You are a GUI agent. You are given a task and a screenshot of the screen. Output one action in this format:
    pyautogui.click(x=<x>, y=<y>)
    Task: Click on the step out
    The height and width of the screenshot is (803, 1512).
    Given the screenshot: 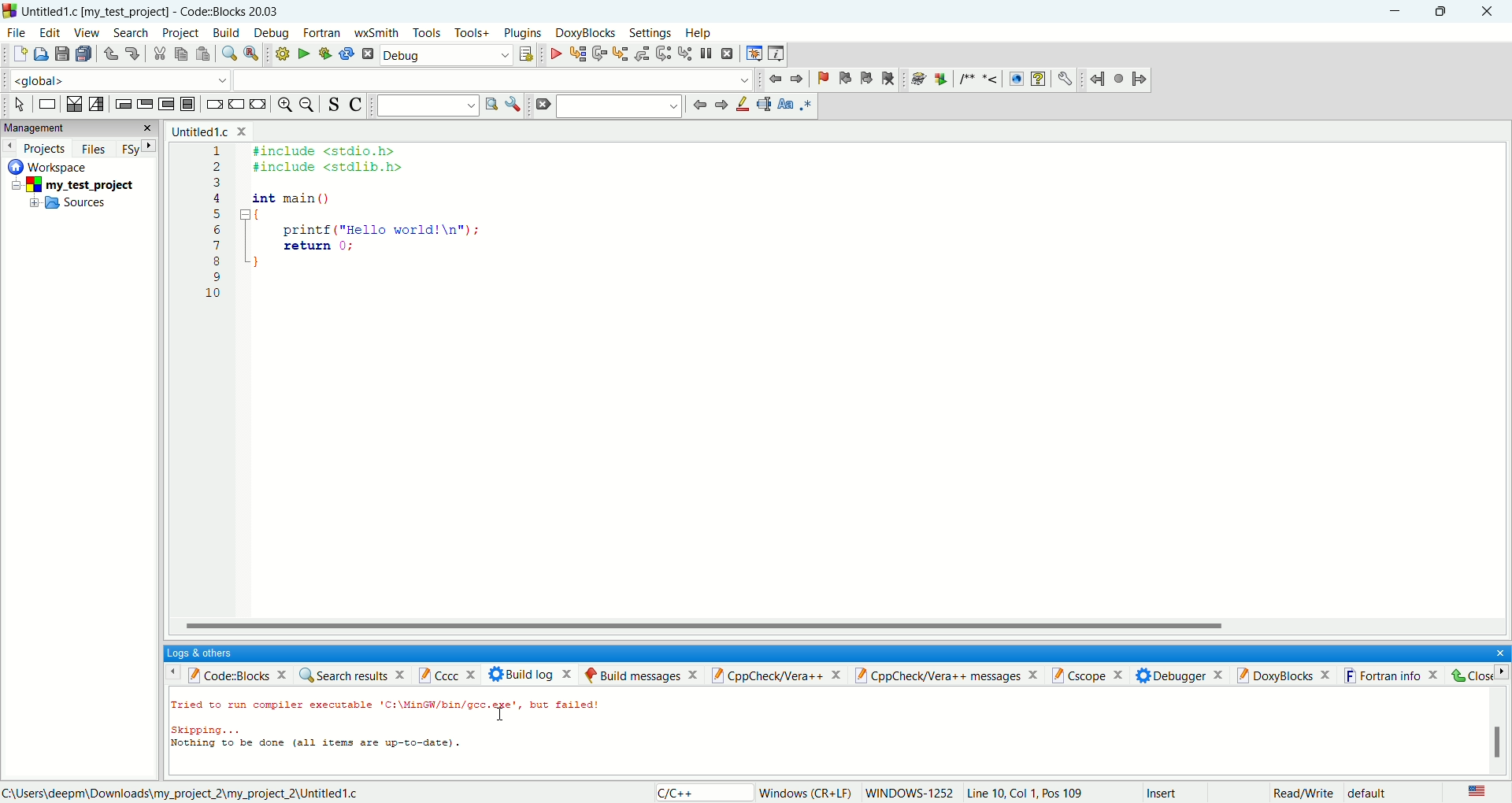 What is the action you would take?
    pyautogui.click(x=642, y=54)
    